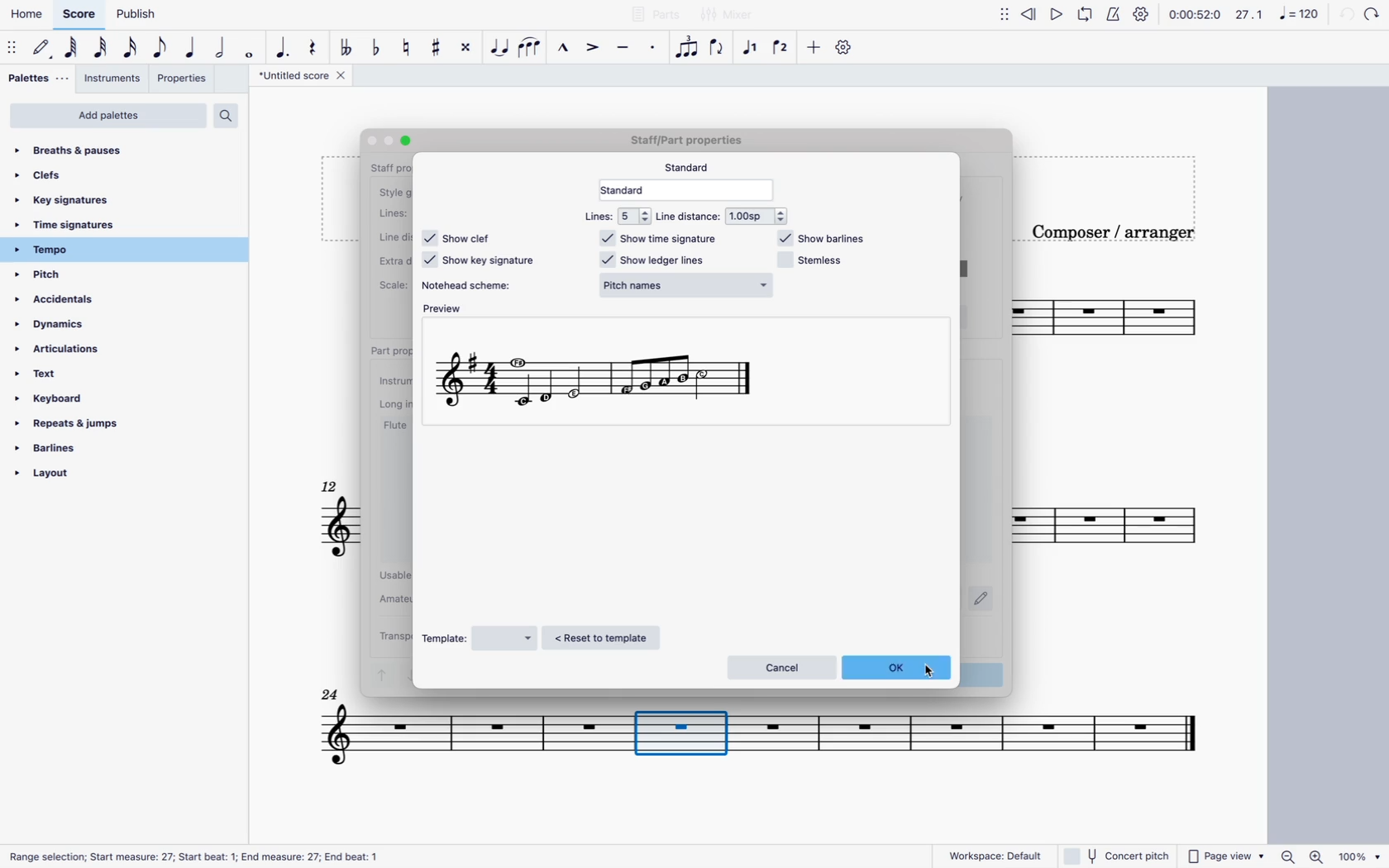 Image resolution: width=1389 pixels, height=868 pixels. I want to click on full note, so click(250, 48).